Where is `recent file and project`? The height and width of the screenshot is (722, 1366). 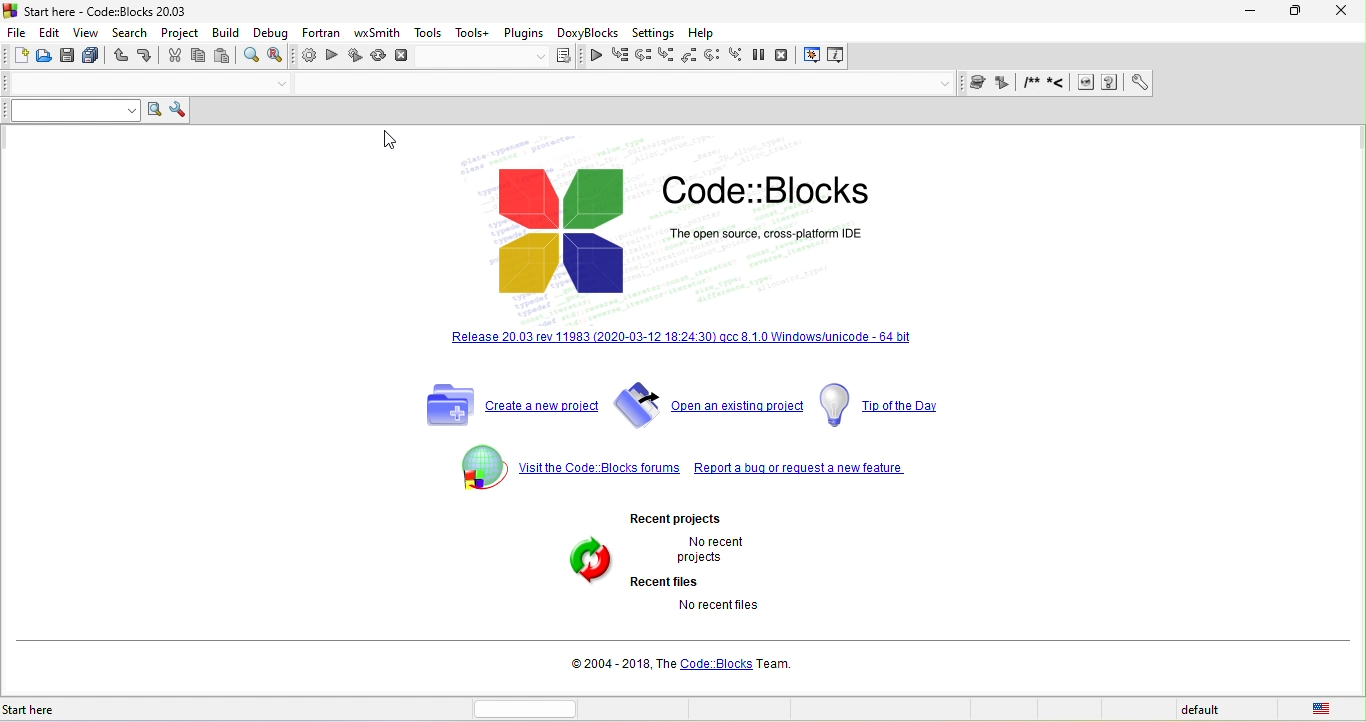 recent file and project is located at coordinates (584, 562).